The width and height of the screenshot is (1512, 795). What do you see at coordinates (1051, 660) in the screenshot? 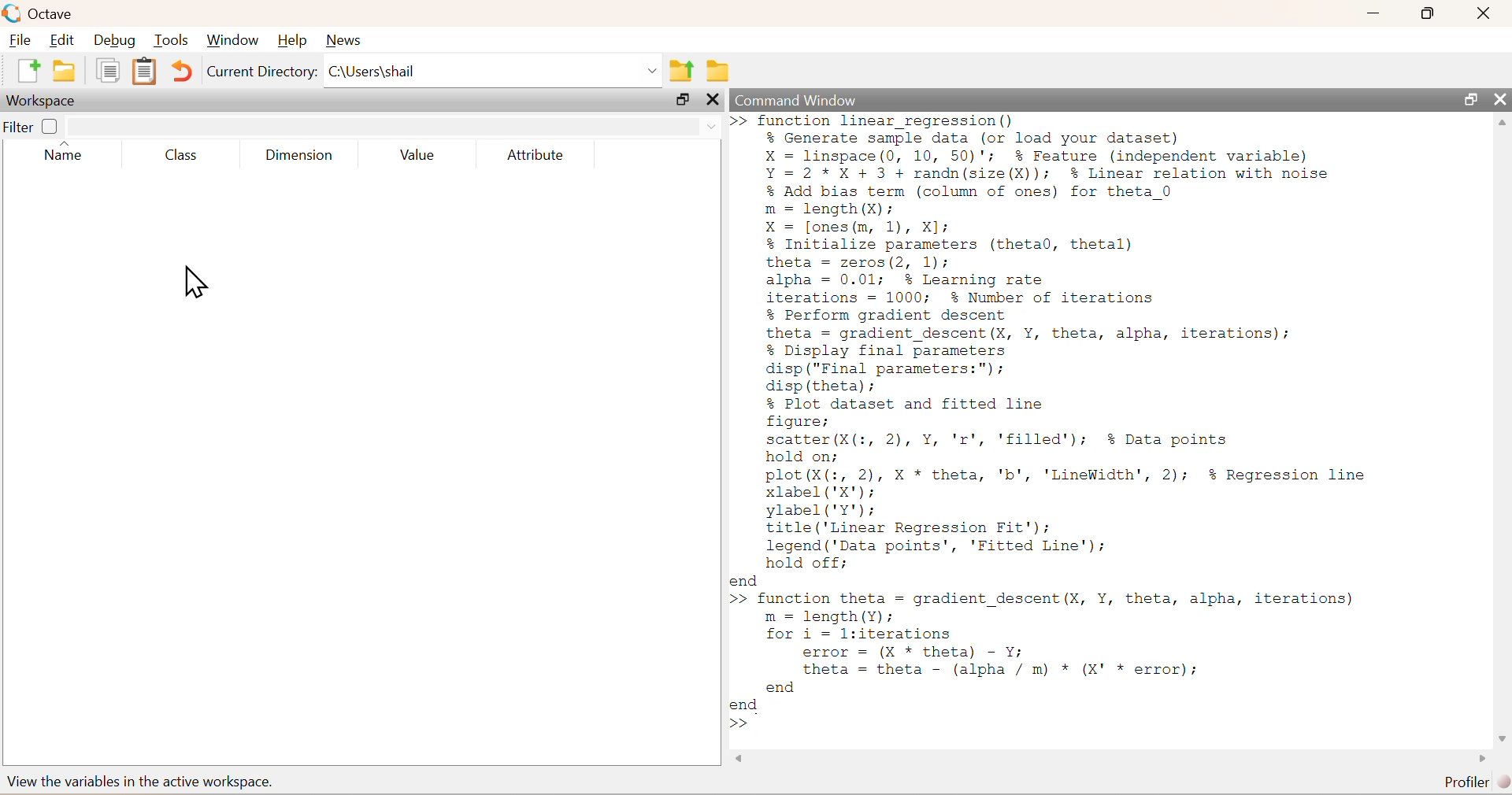
I see `>> function theta = gradient descent (X, Y, theta, alpha, iterations)
m = length(Y);
for i = l:iterations
error = (X * theta) - Y;
theta = theta - (alpha / m) * (X' * error);
end
end
>>` at bounding box center [1051, 660].